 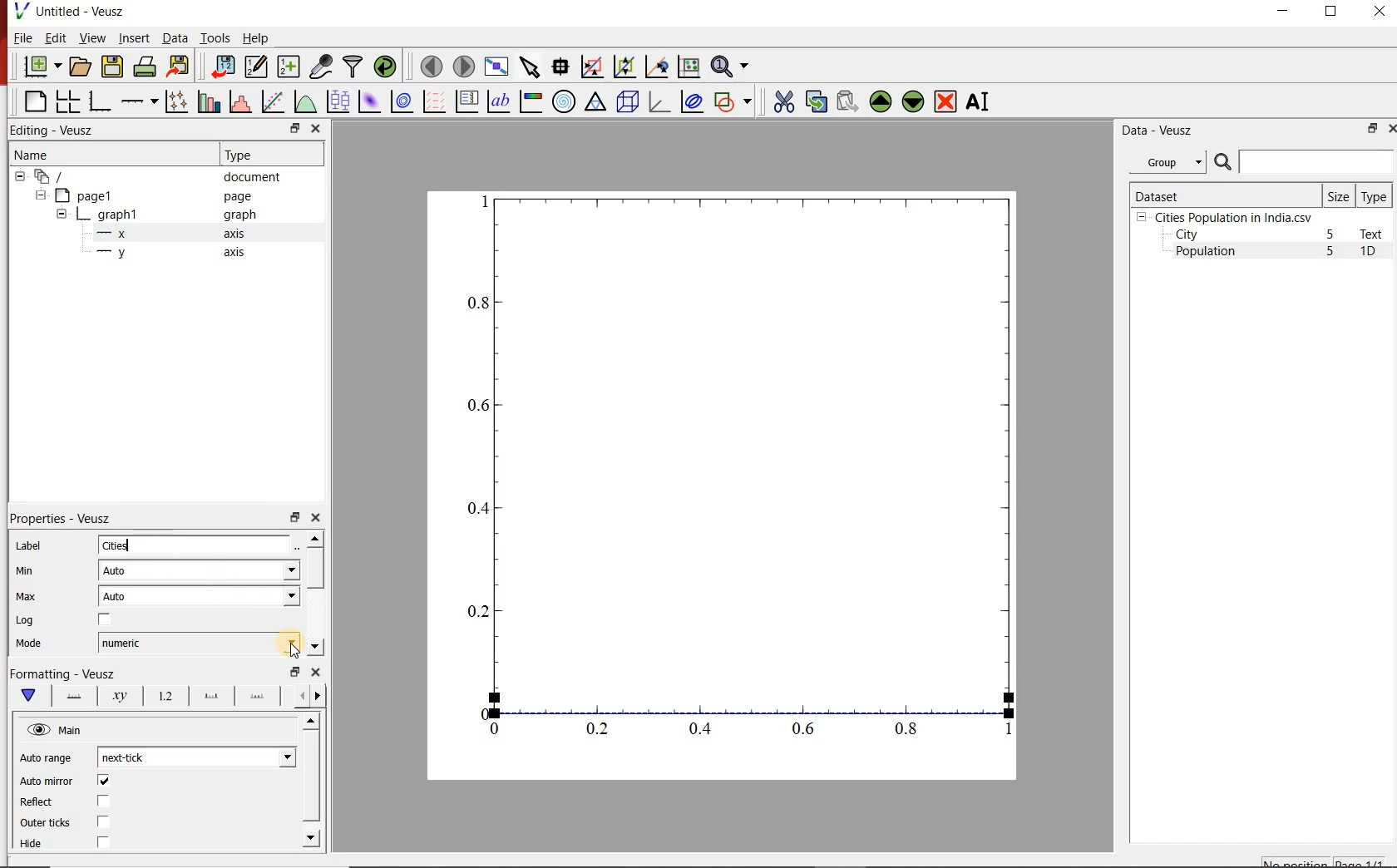 I want to click on Name, so click(x=94, y=154).